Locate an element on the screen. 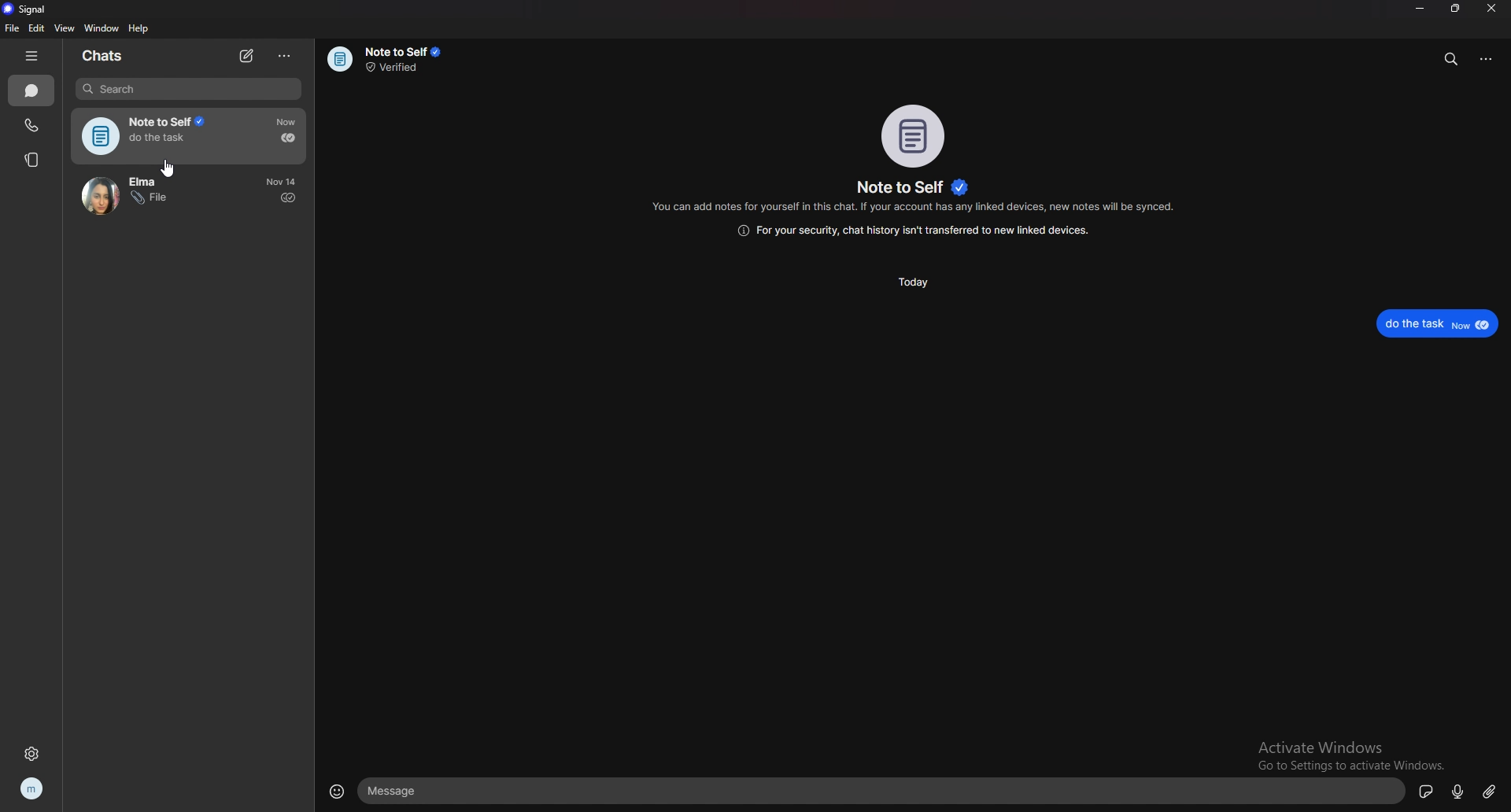 The height and width of the screenshot is (812, 1511). minimize is located at coordinates (1420, 7).